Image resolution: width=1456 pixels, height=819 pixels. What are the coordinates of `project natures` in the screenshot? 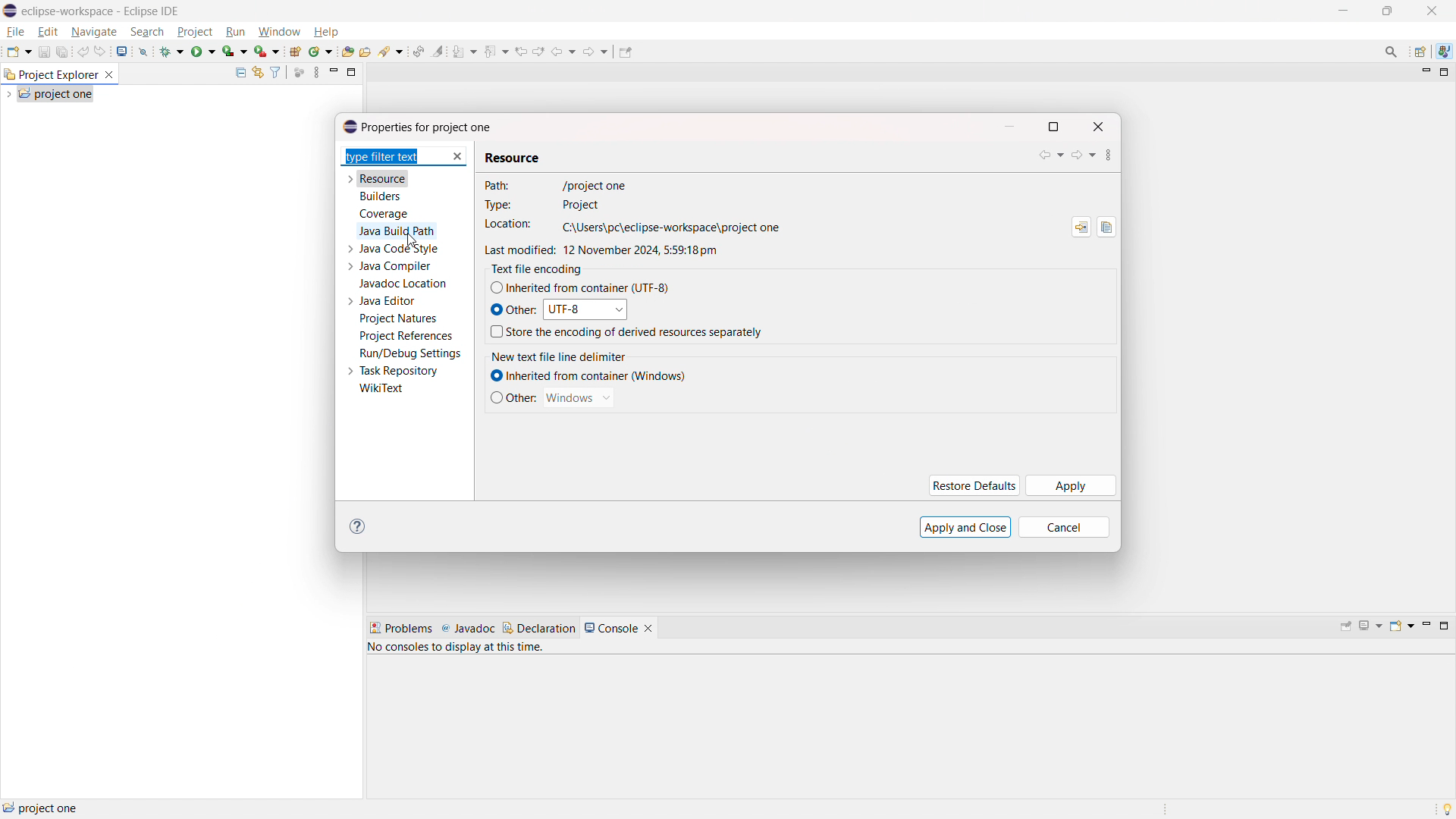 It's located at (399, 318).